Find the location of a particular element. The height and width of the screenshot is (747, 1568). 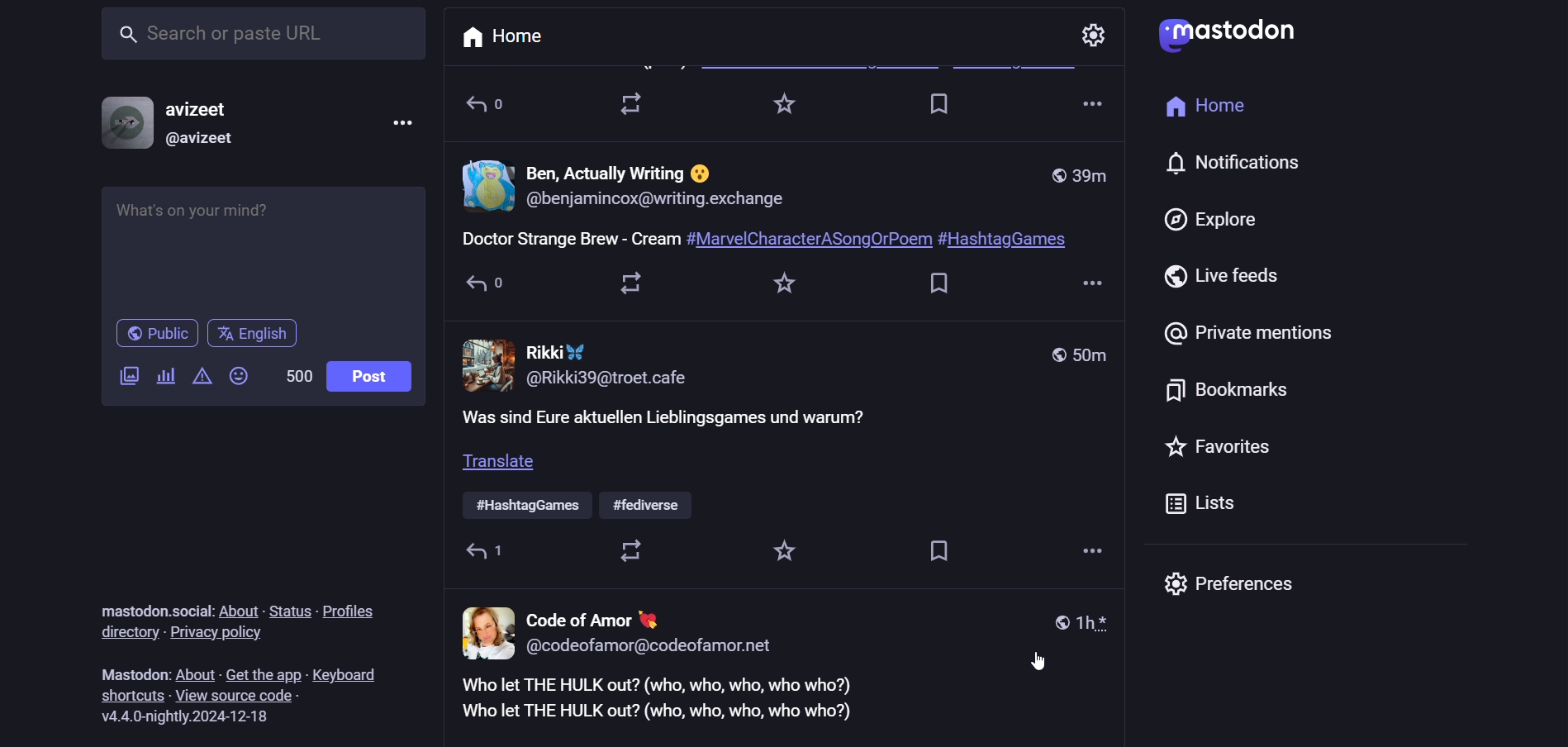

menu is located at coordinates (399, 119).